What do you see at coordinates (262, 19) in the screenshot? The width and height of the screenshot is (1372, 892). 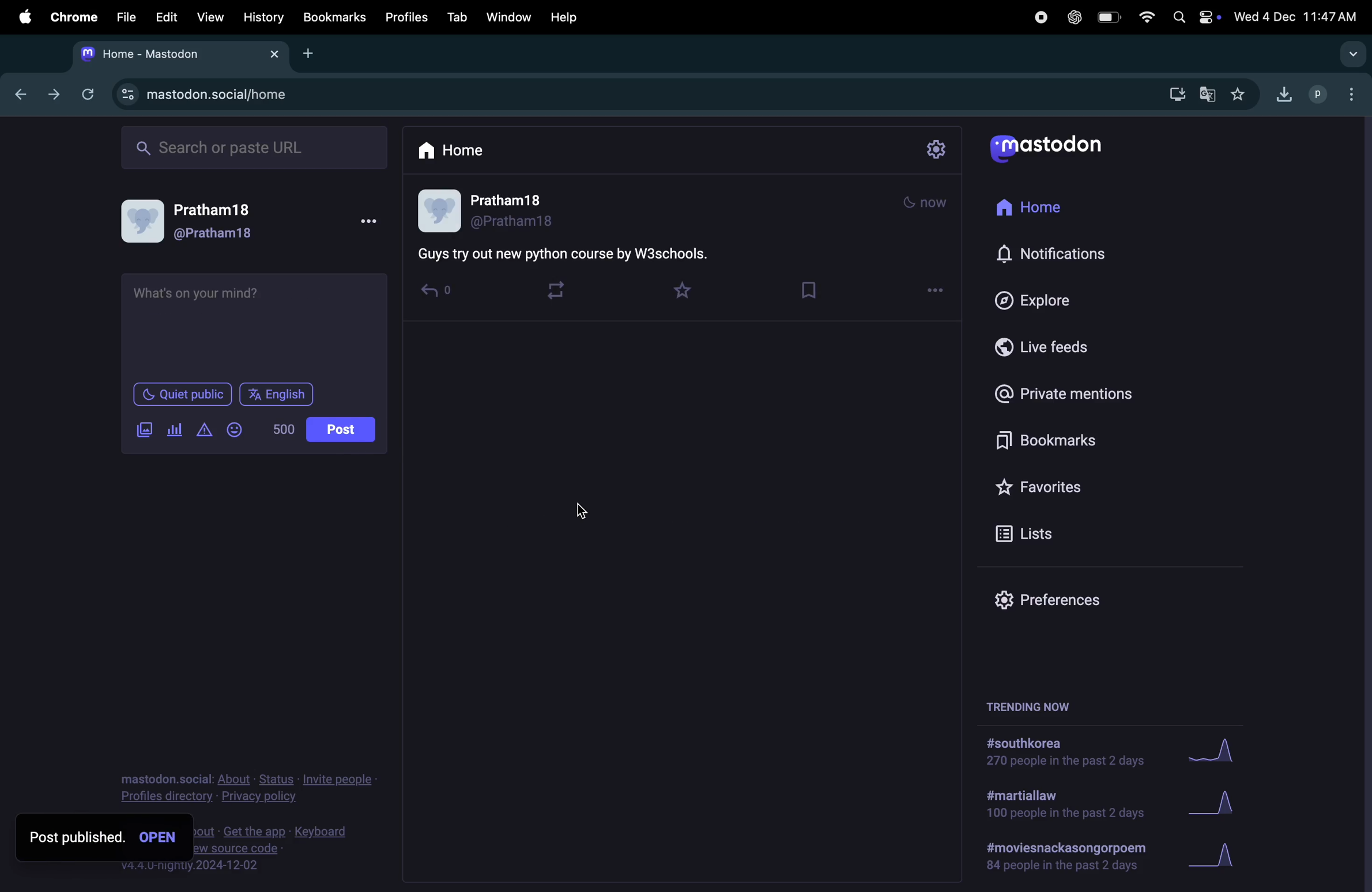 I see `History` at bounding box center [262, 19].